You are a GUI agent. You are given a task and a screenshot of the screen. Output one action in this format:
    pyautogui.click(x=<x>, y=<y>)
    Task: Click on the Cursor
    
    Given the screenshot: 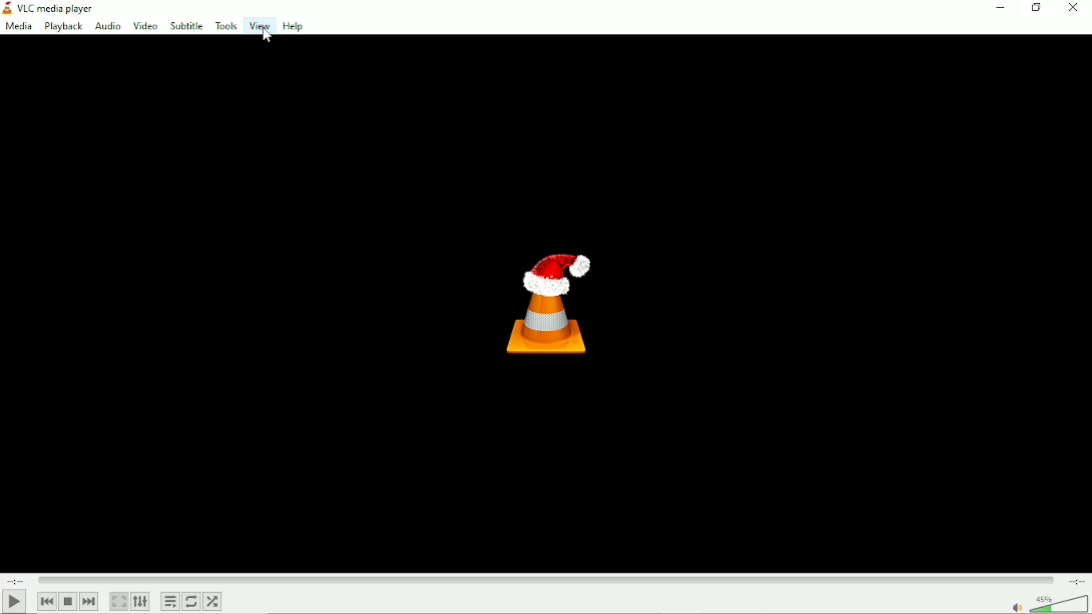 What is the action you would take?
    pyautogui.click(x=269, y=39)
    